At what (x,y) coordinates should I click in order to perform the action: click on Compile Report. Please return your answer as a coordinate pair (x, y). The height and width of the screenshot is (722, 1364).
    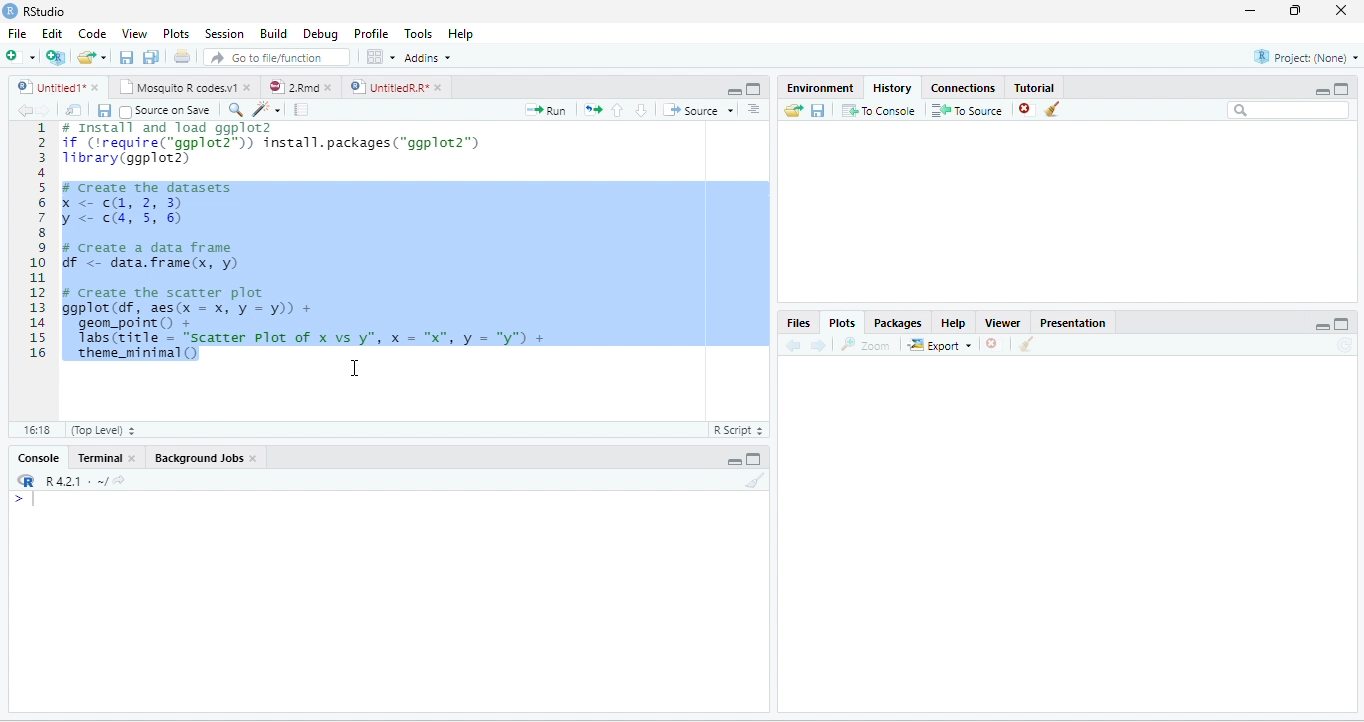
    Looking at the image, I should click on (301, 110).